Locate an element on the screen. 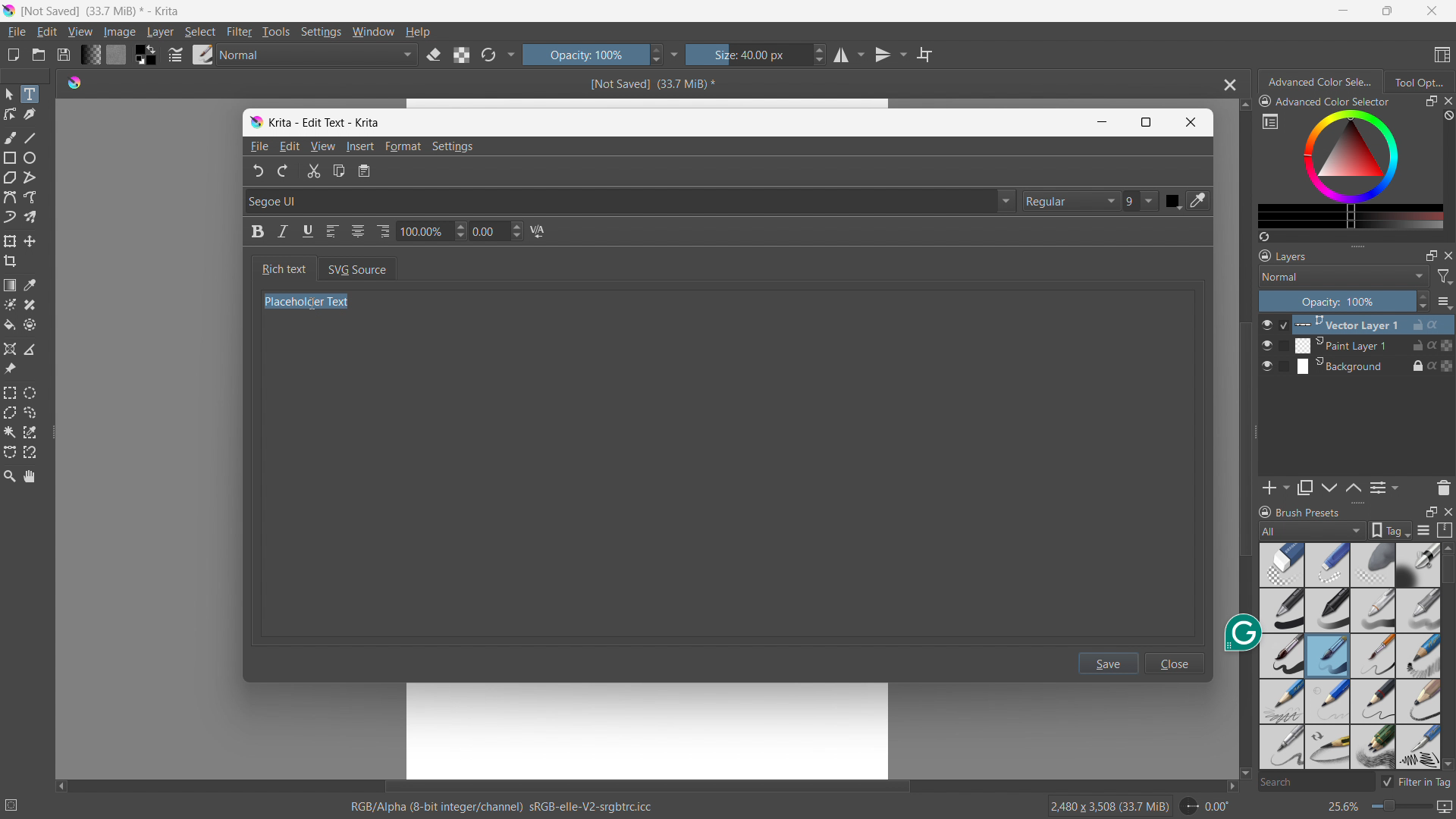 This screenshot has width=1456, height=819. more colors is located at coordinates (1351, 217).